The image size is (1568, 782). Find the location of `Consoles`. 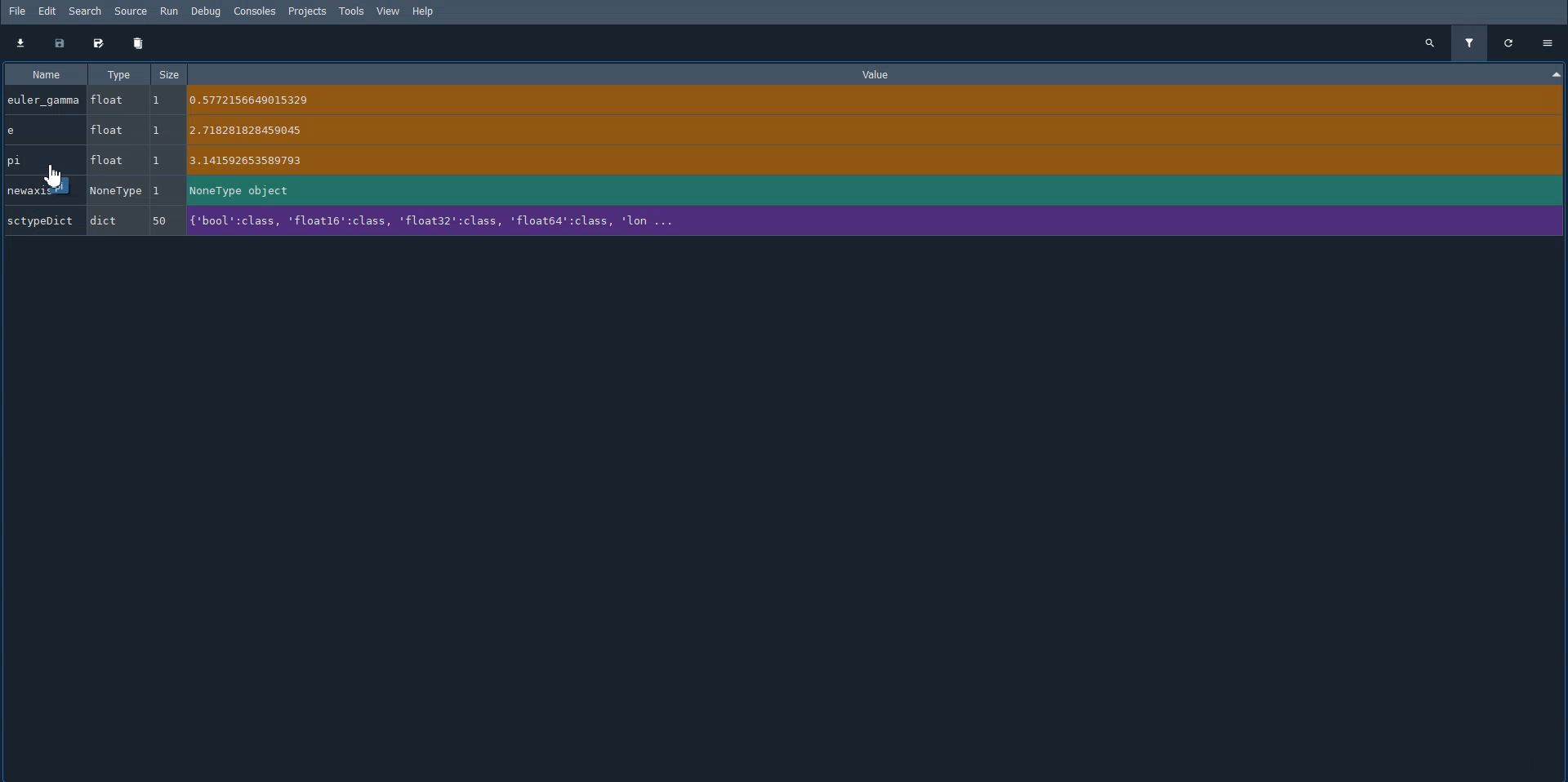

Consoles is located at coordinates (254, 11).